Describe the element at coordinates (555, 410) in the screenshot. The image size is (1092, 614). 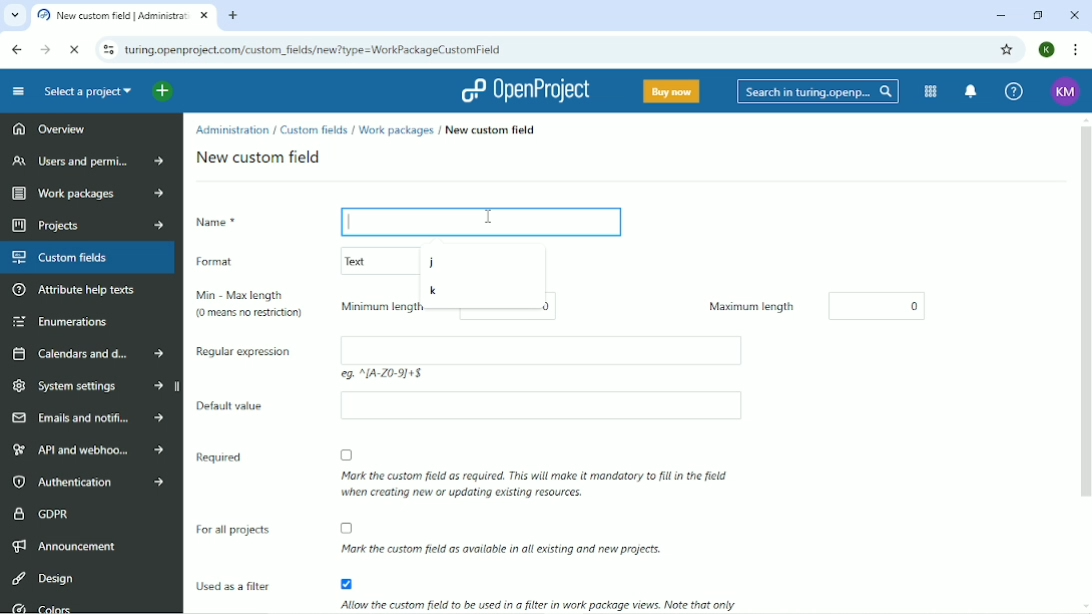
I see `Empty box` at that location.